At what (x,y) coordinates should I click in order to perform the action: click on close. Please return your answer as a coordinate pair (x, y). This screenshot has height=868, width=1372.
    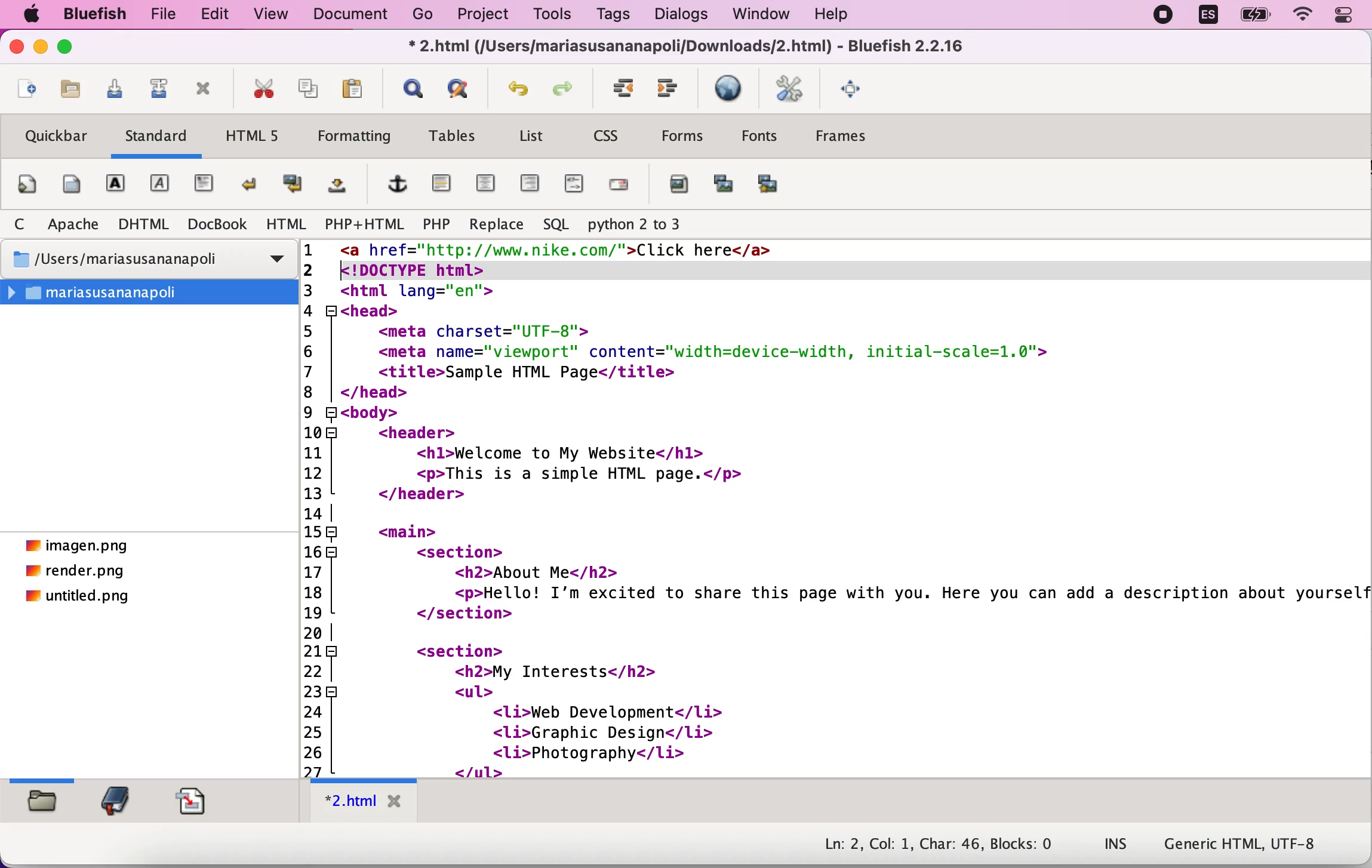
    Looking at the image, I should click on (16, 49).